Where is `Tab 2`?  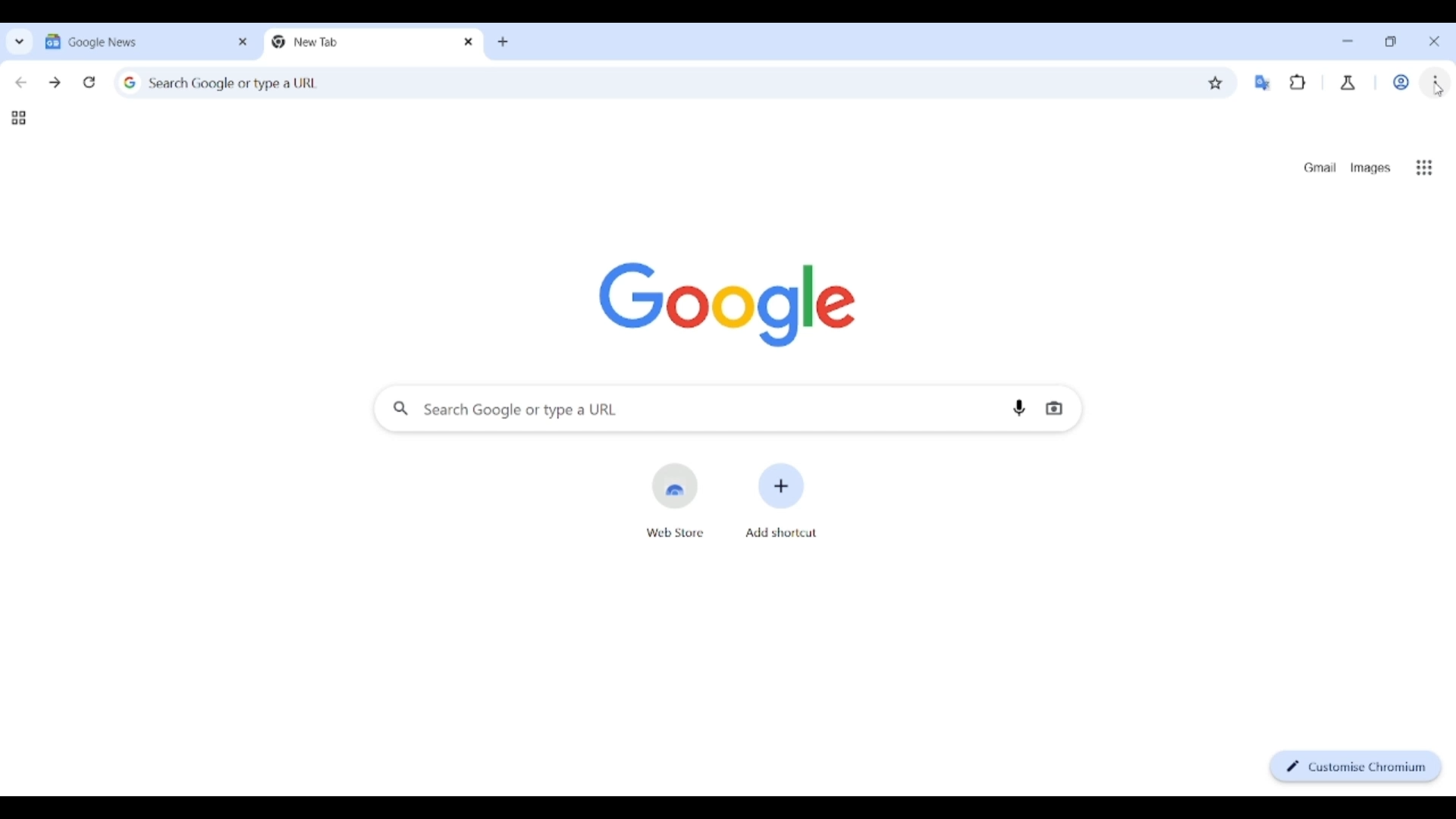 Tab 2 is located at coordinates (360, 42).